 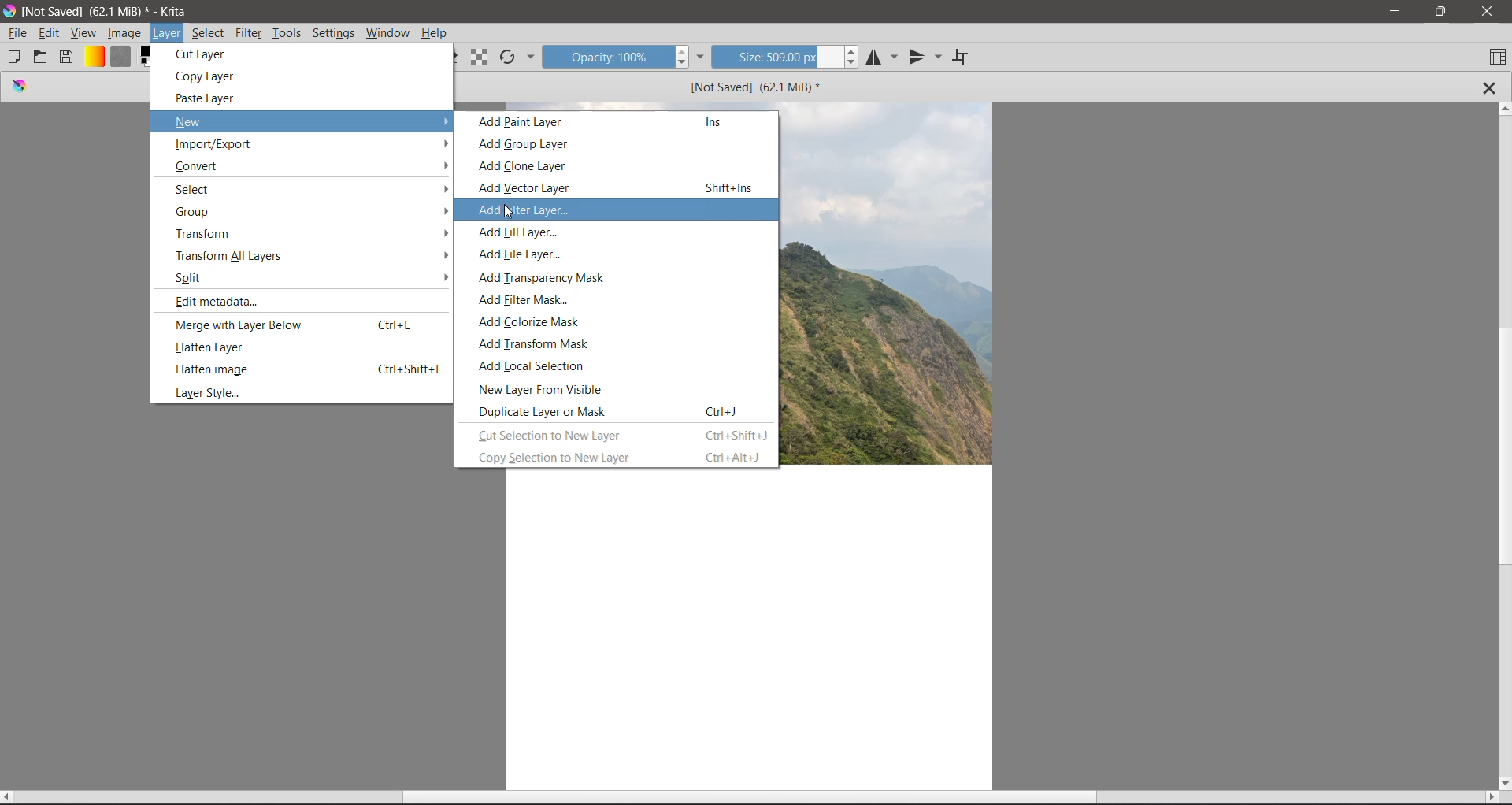 I want to click on Set the background and foreground colro selector, so click(x=144, y=57).